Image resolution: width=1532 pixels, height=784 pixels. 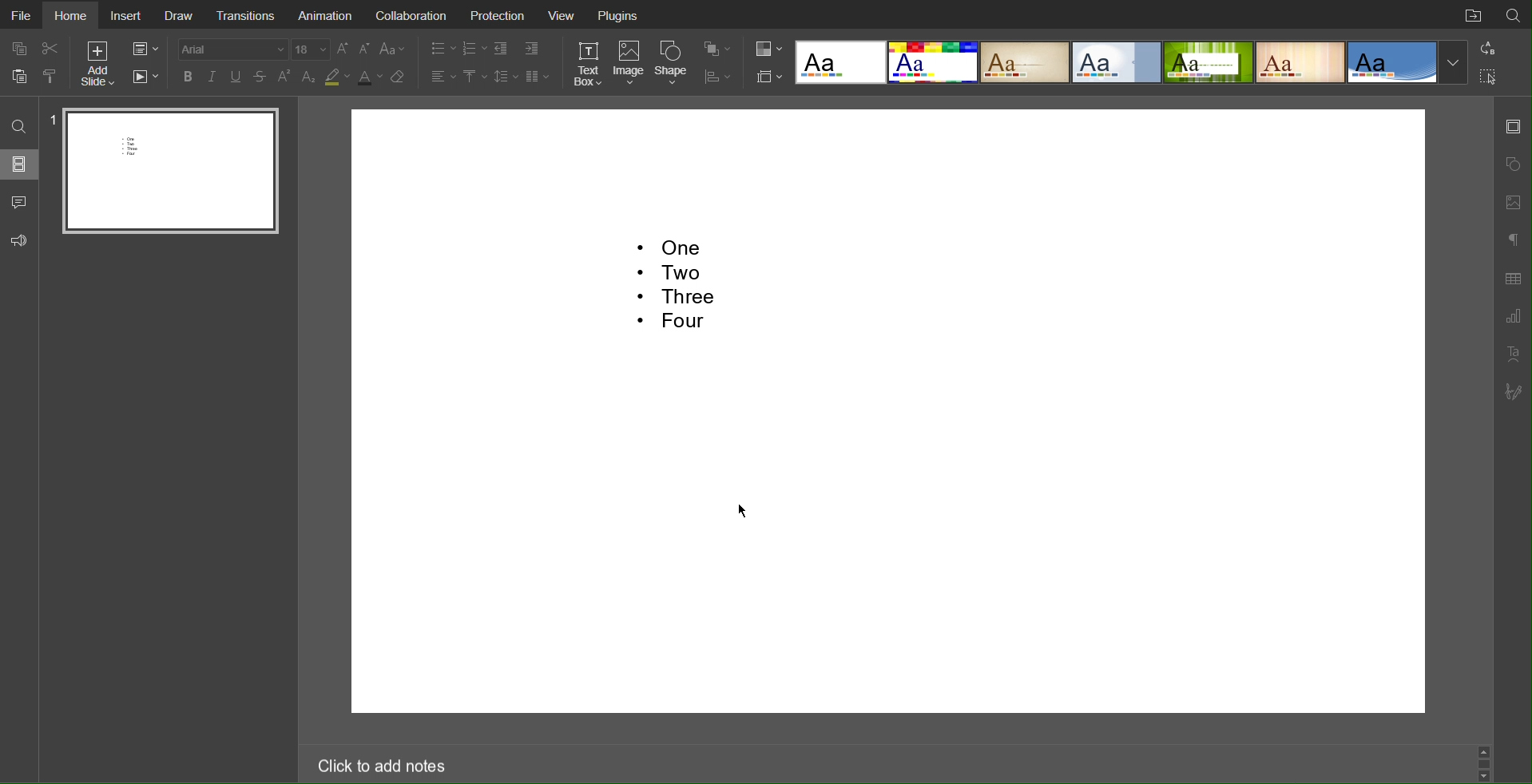 What do you see at coordinates (1511, 164) in the screenshot?
I see `Shape Settings` at bounding box center [1511, 164].